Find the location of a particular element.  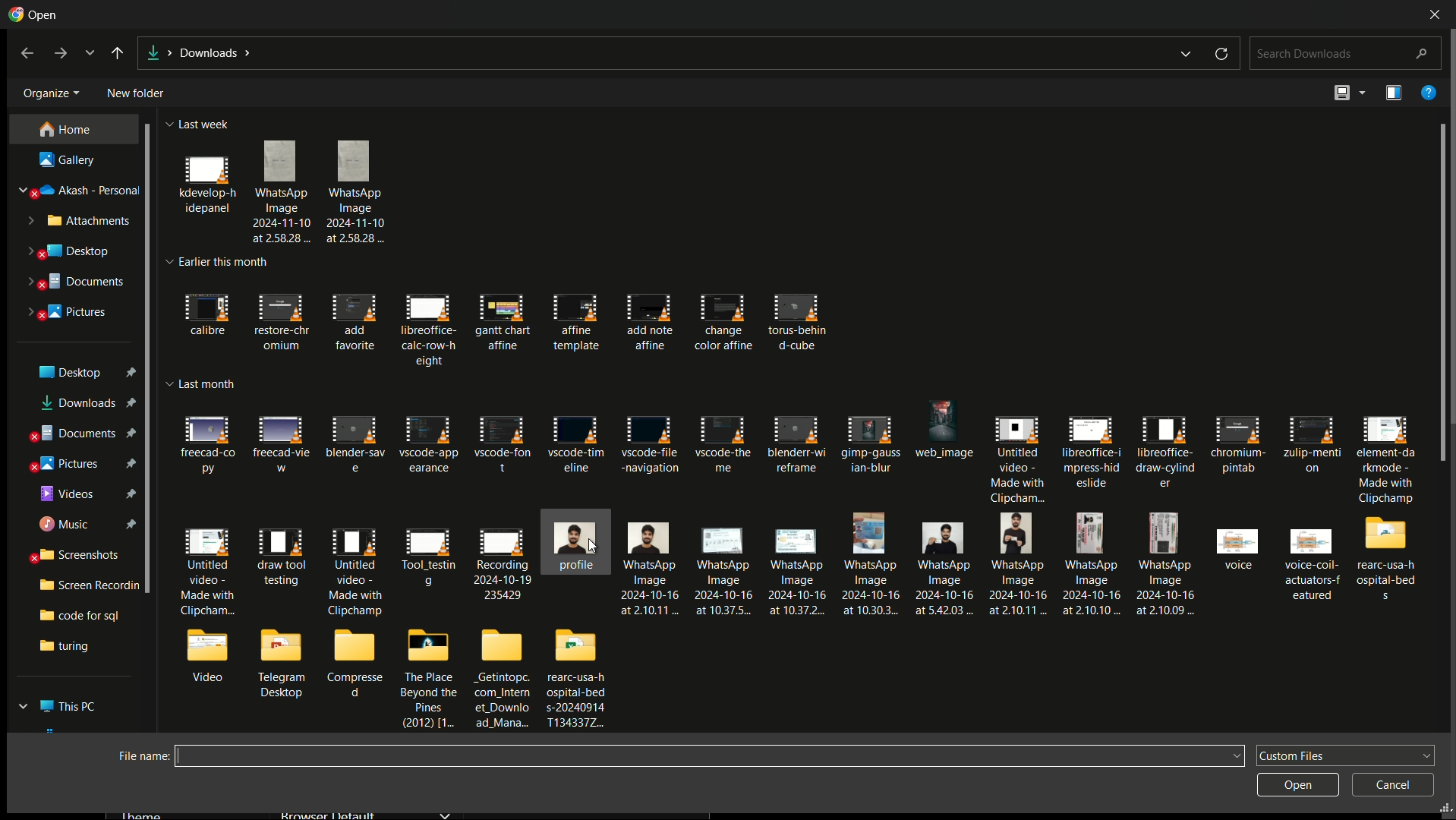

pictures is located at coordinates (66, 312).